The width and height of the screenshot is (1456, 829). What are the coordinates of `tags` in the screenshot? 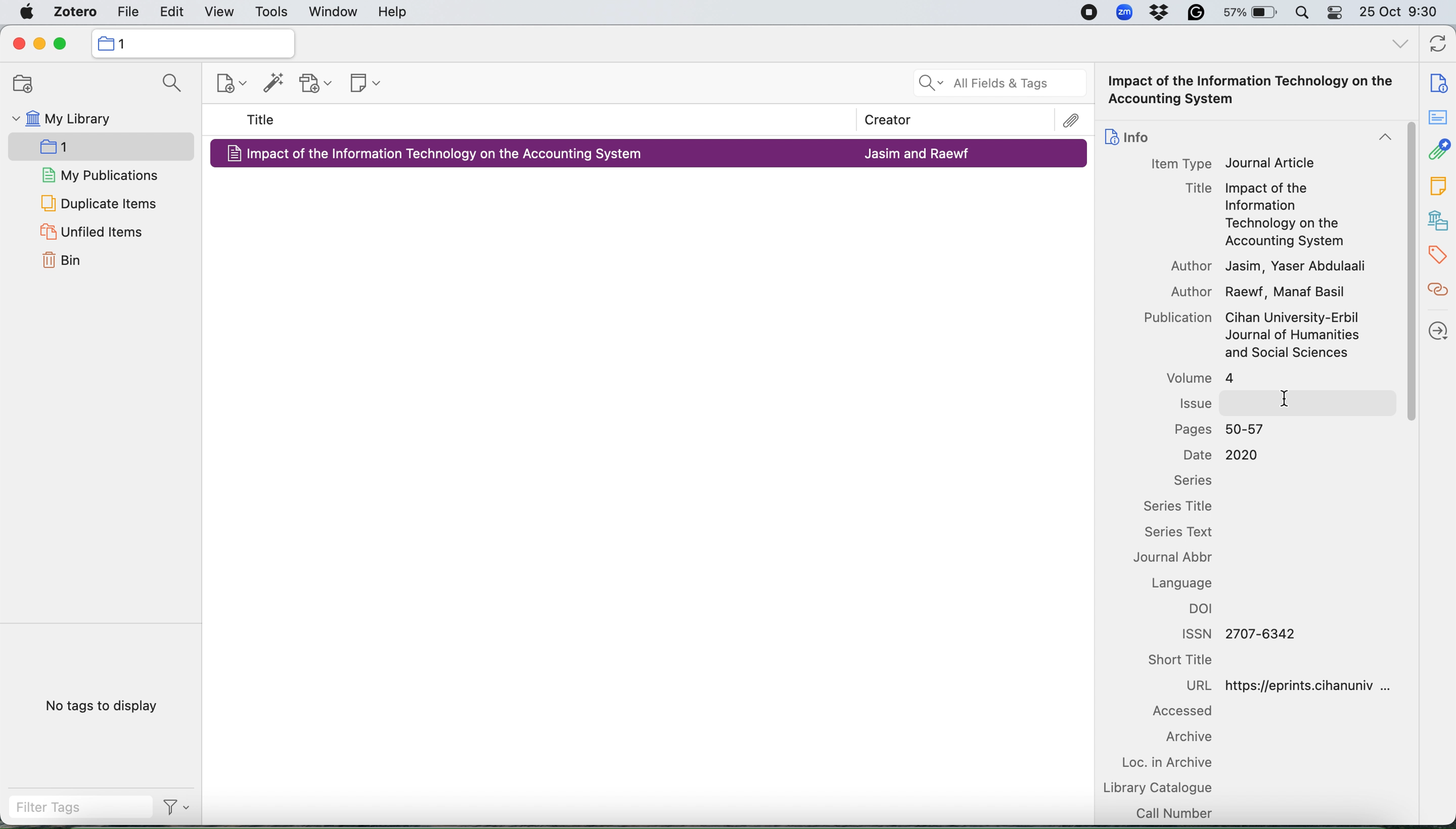 It's located at (1437, 255).